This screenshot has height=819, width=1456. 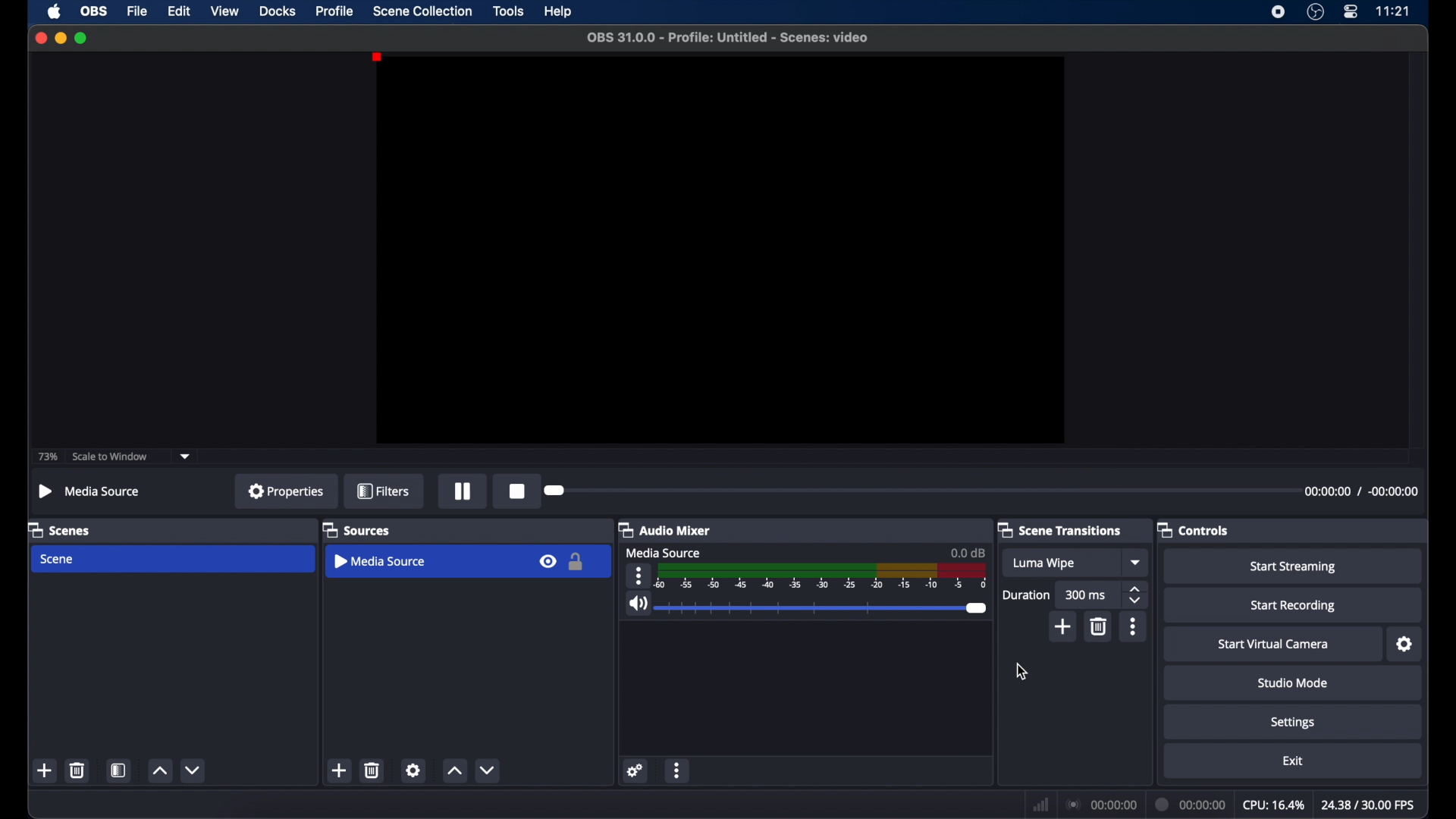 What do you see at coordinates (509, 11) in the screenshot?
I see `tools` at bounding box center [509, 11].